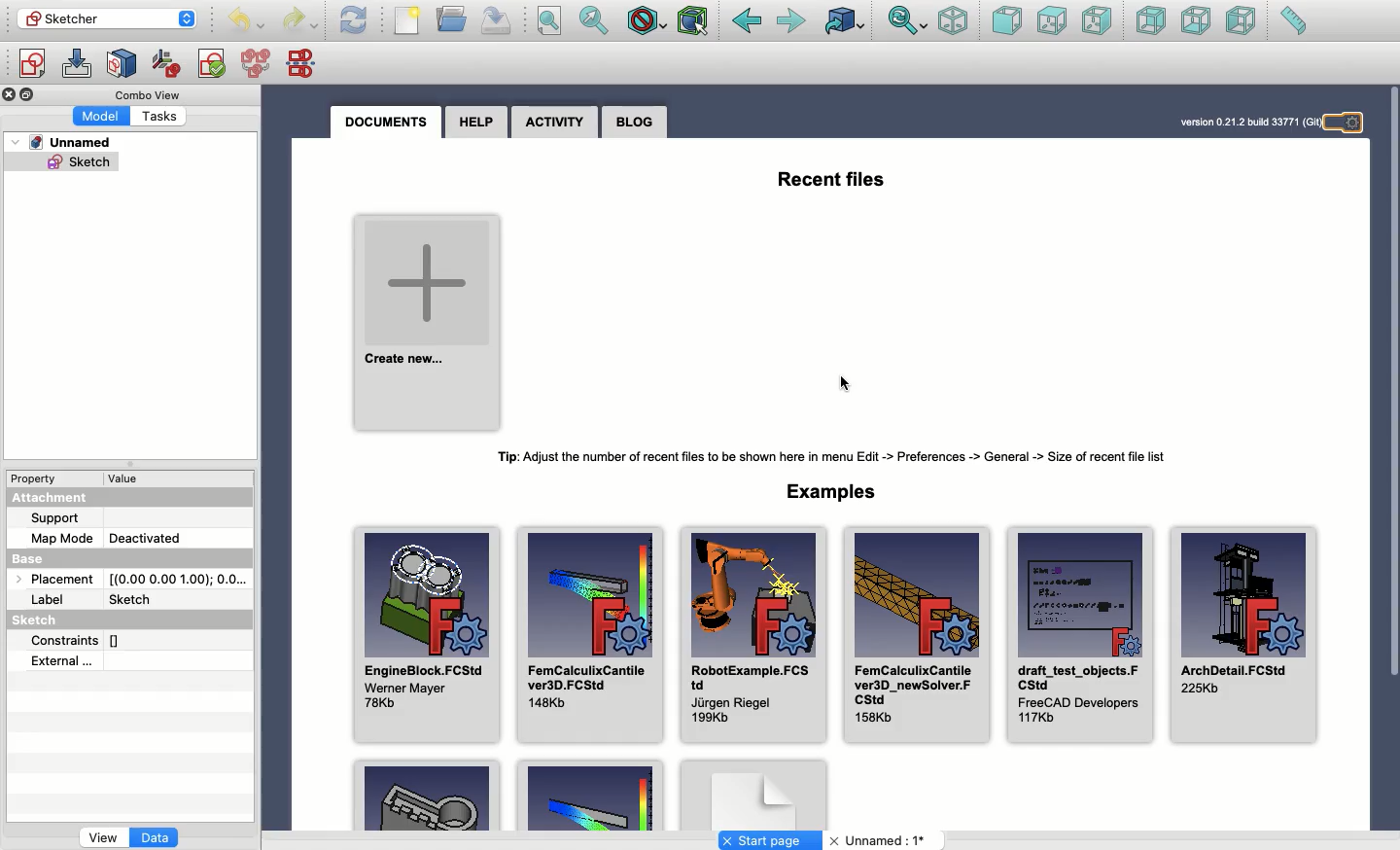 The height and width of the screenshot is (850, 1400). I want to click on Sync view, so click(906, 21).